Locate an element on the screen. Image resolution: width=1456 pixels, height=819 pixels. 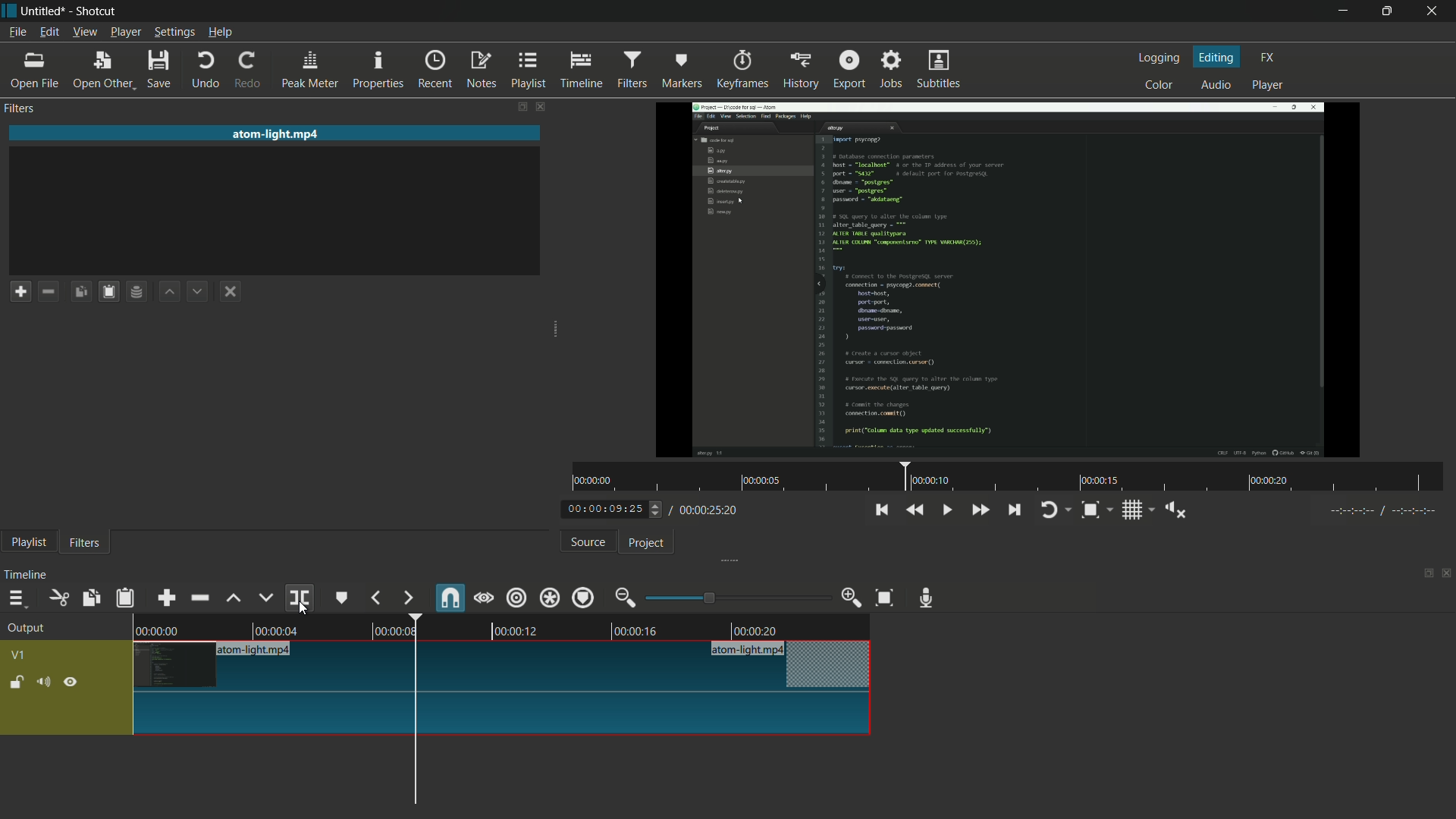
fx is located at coordinates (1267, 58).